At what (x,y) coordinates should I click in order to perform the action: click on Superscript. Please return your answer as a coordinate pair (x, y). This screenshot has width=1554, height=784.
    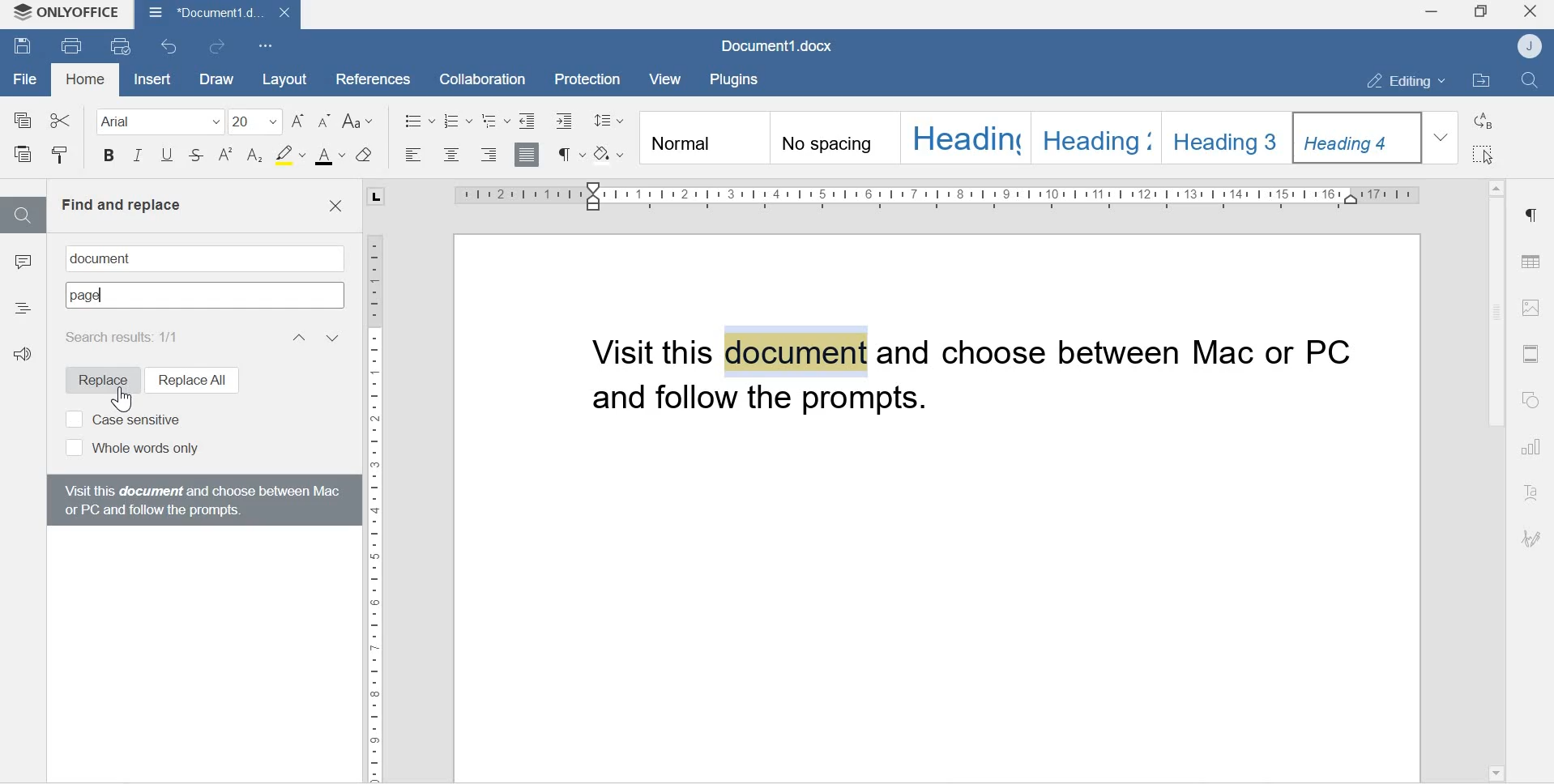
    Looking at the image, I should click on (226, 156).